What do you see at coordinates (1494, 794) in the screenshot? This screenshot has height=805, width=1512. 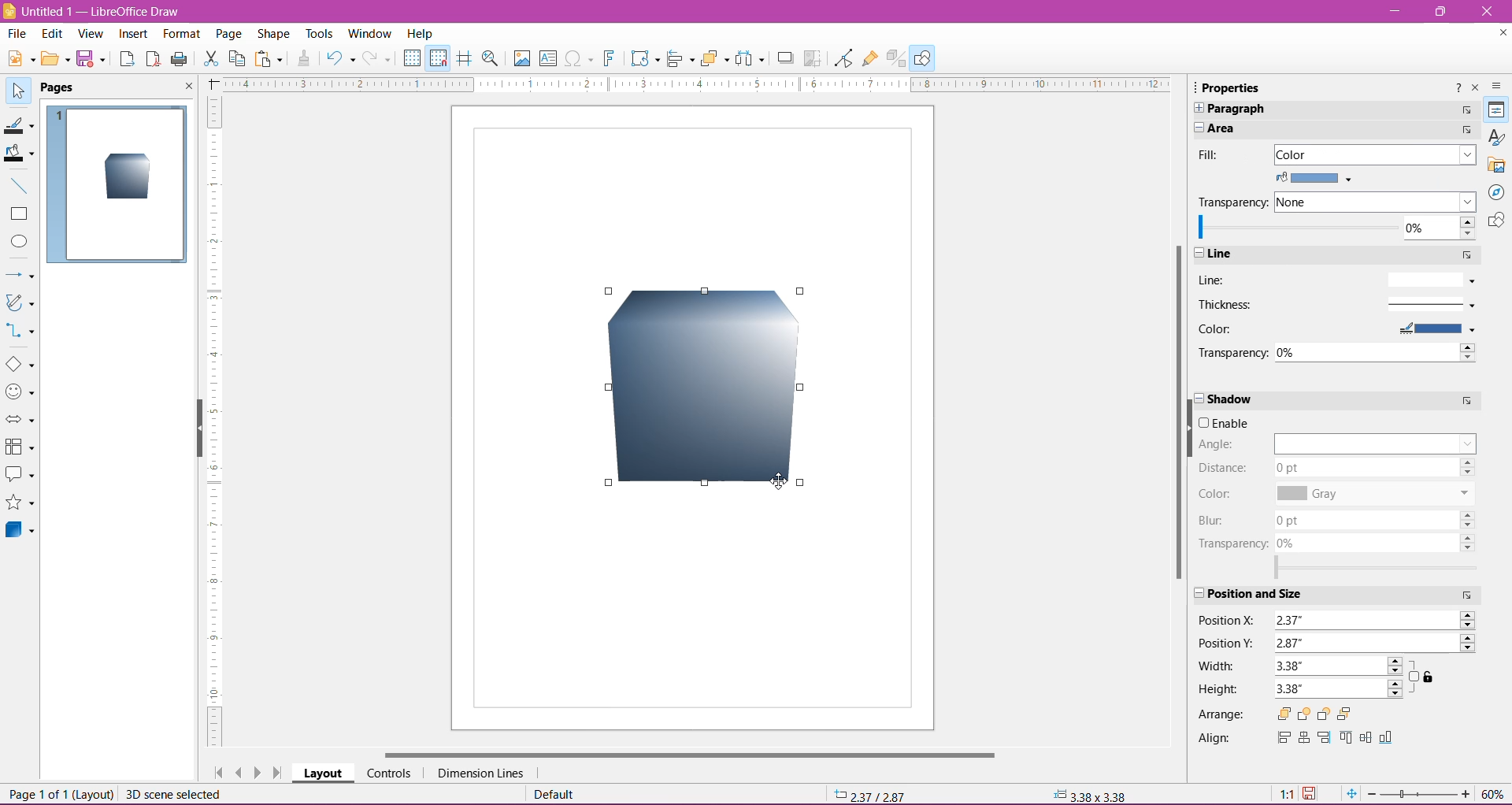 I see `Zoom Factor` at bounding box center [1494, 794].